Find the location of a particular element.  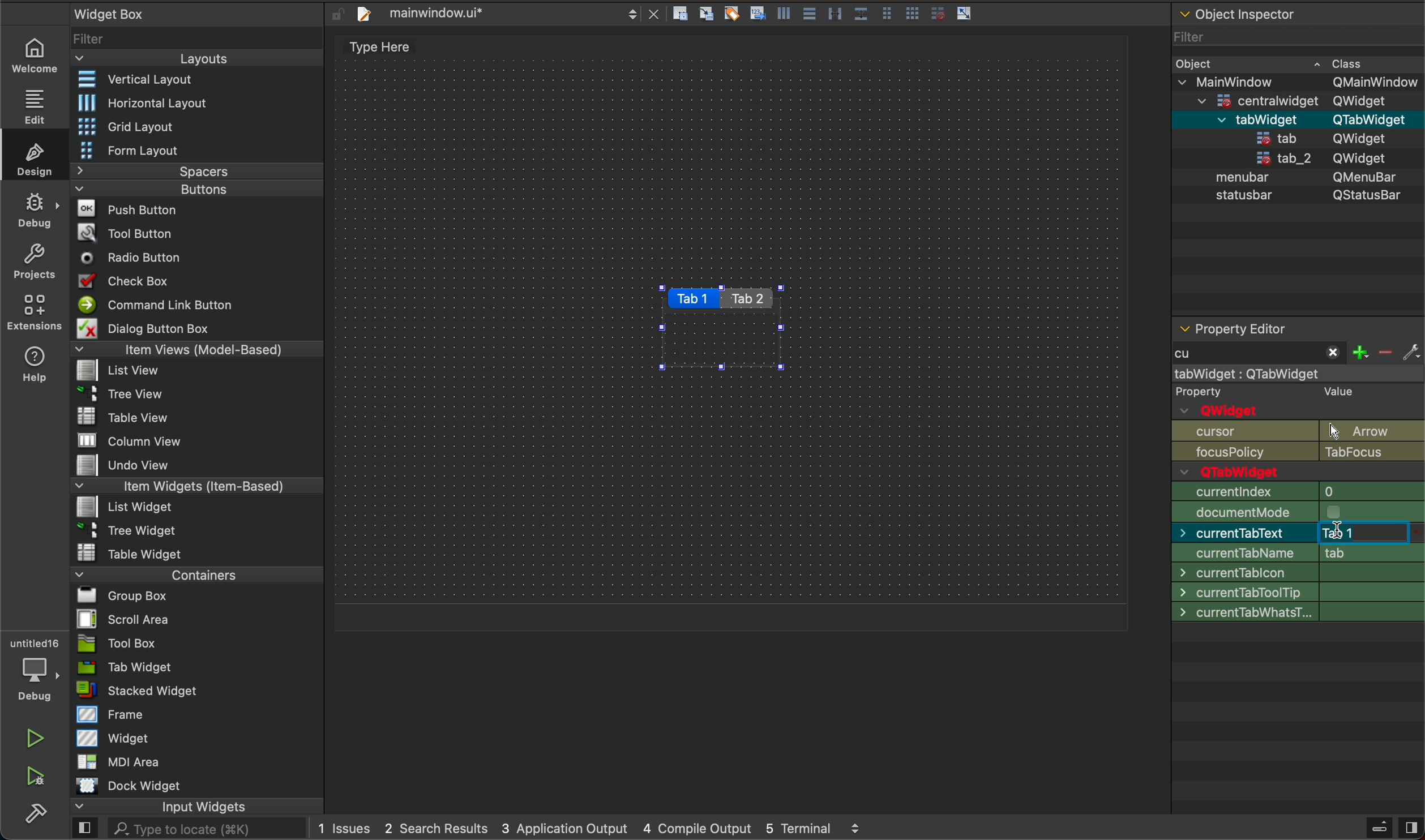

v MainWindow OMainWindow is located at coordinates (1299, 80).